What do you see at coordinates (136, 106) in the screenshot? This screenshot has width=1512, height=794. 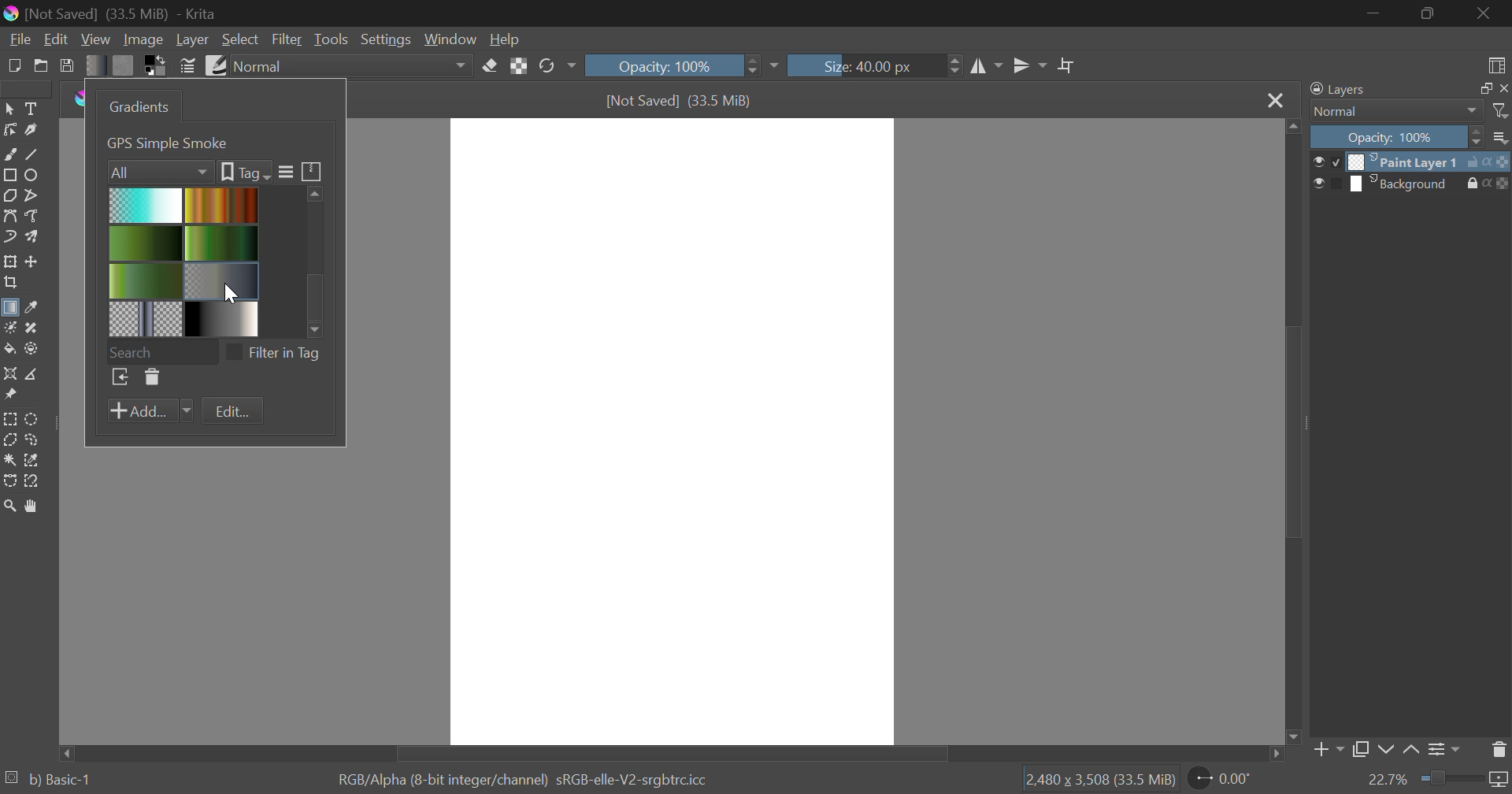 I see `Gradients` at bounding box center [136, 106].